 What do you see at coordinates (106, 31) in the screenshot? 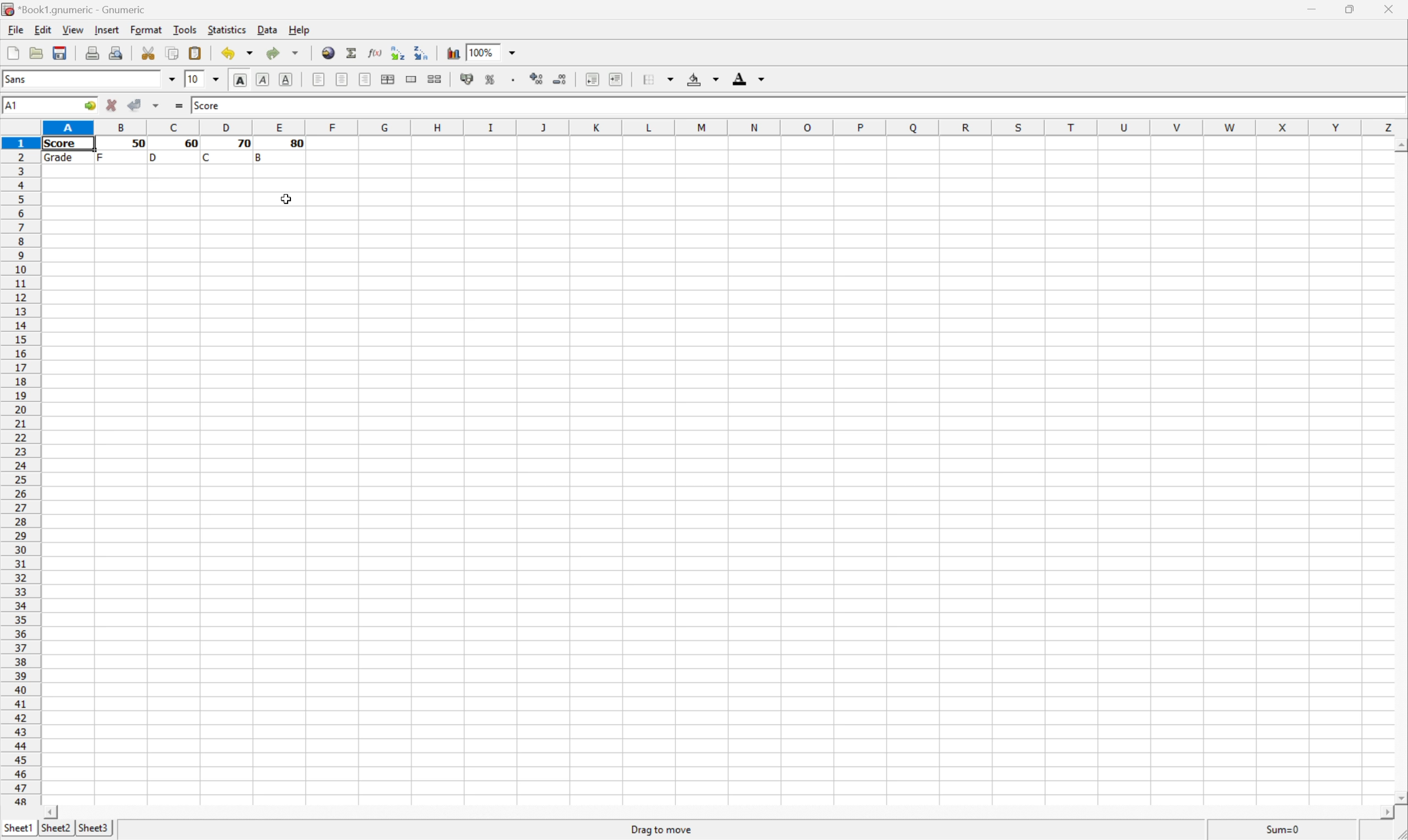
I see `Insert` at bounding box center [106, 31].